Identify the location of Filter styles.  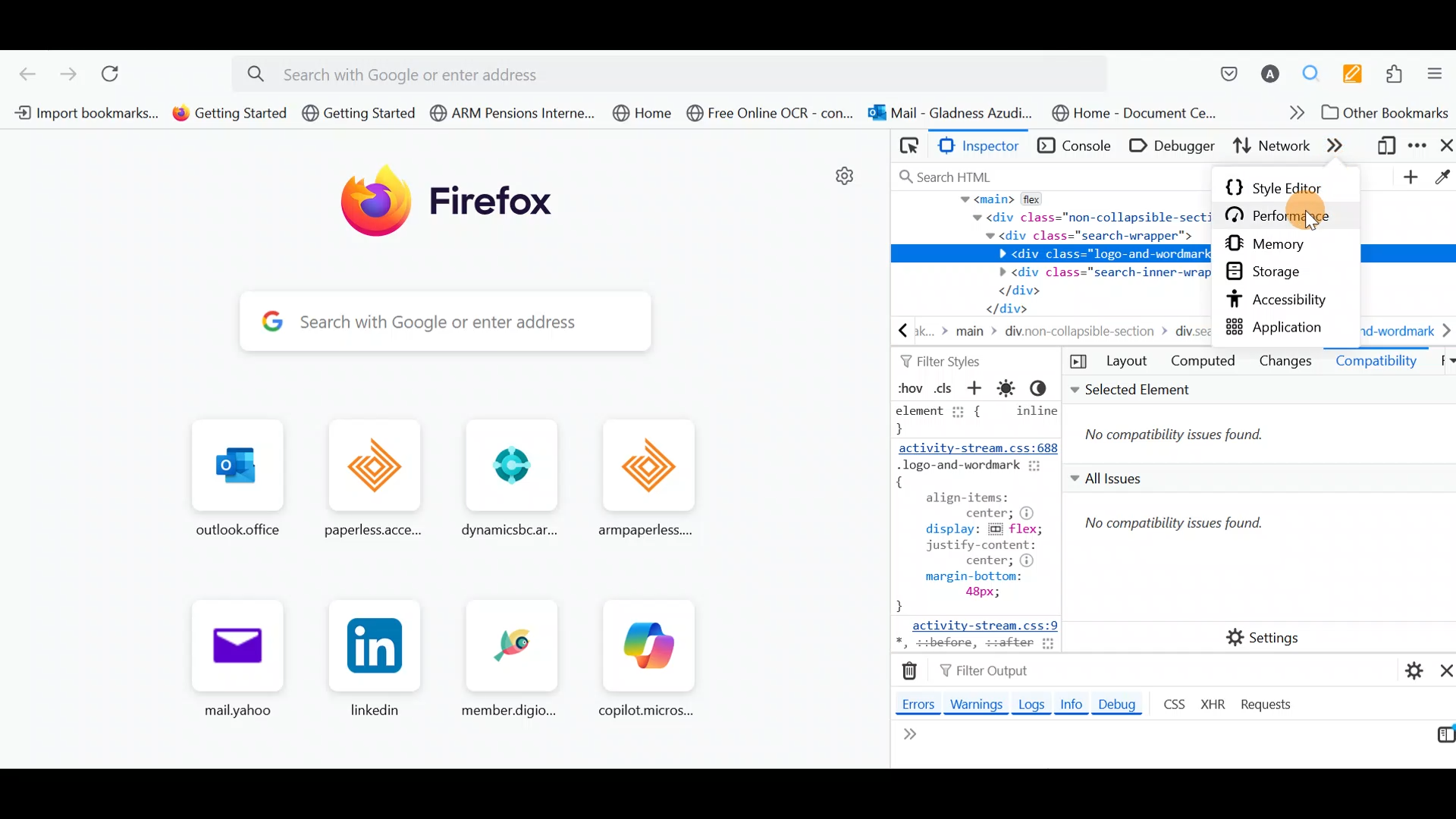
(940, 360).